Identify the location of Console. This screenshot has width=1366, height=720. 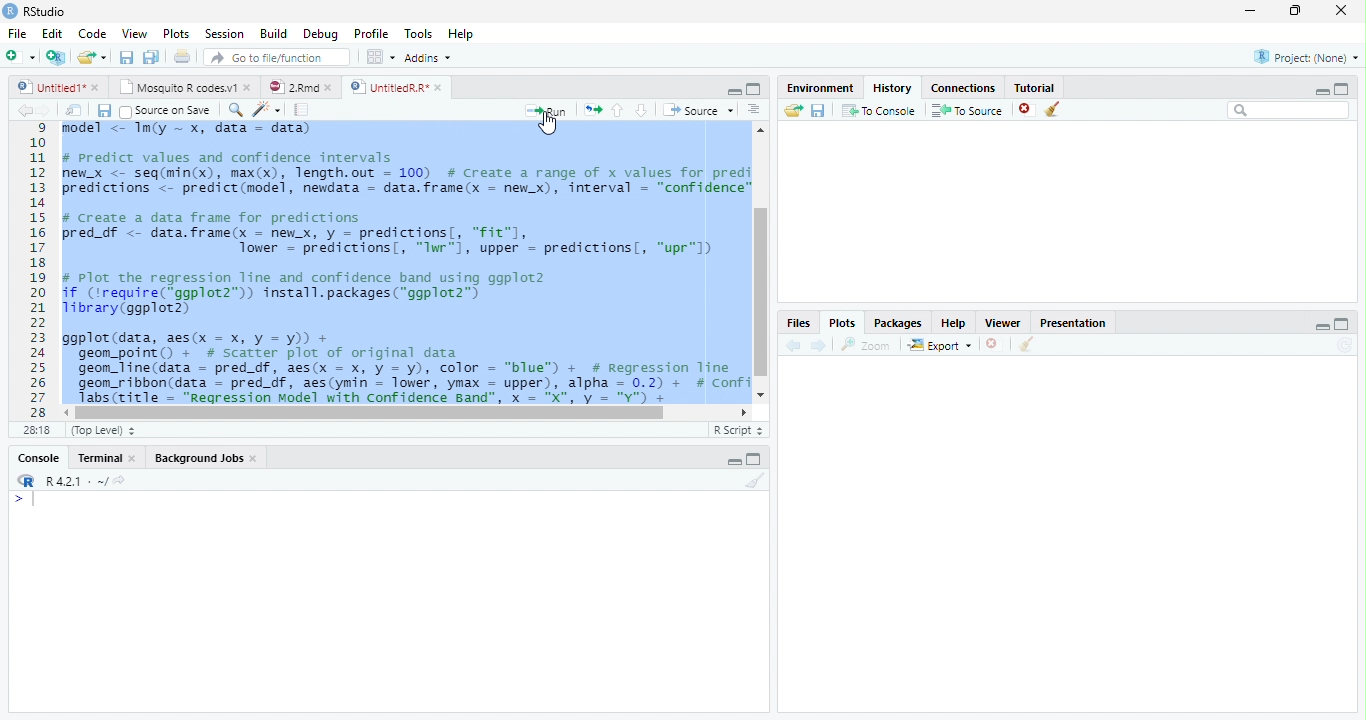
(37, 455).